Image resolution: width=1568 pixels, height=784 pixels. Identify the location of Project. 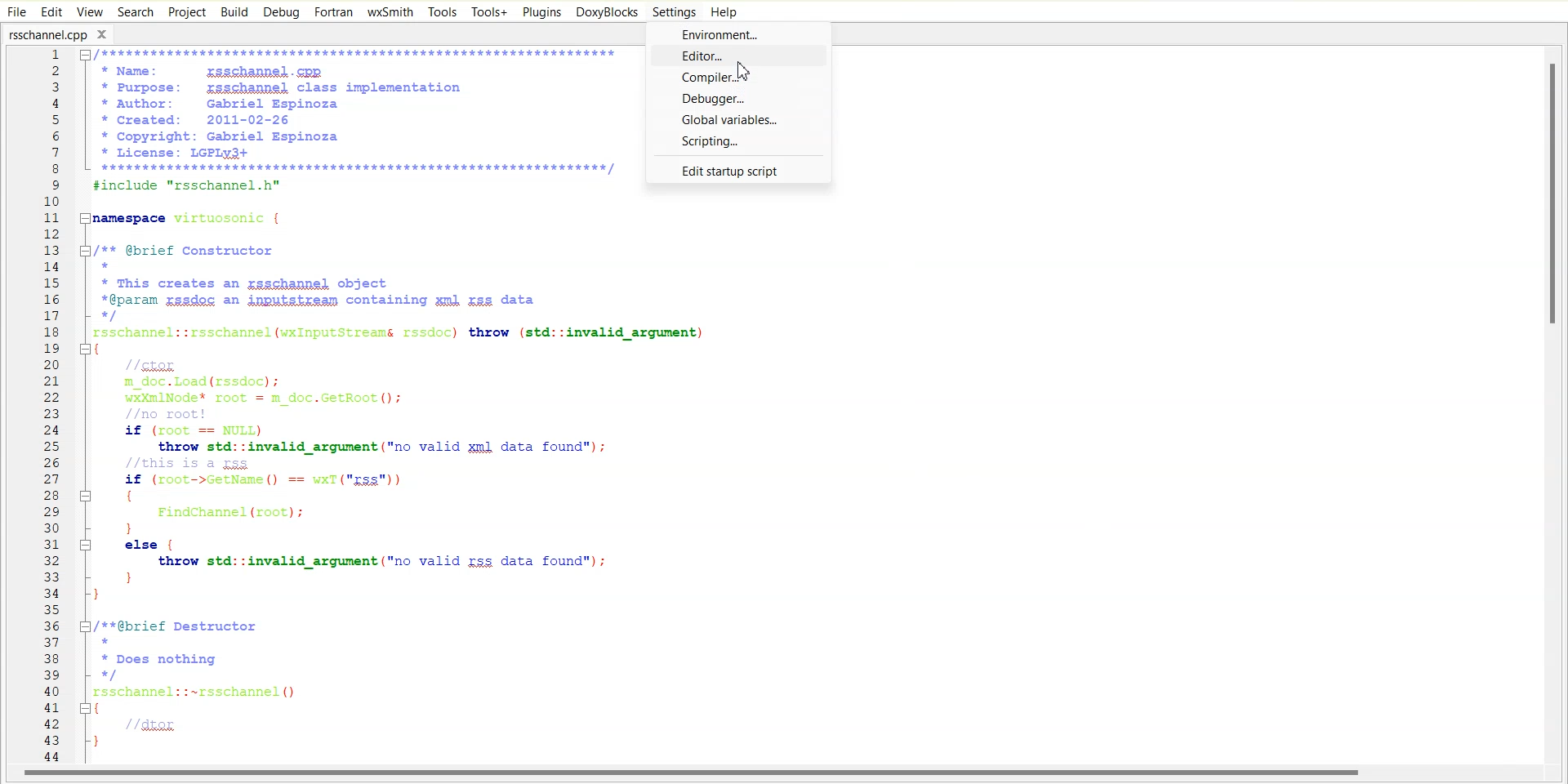
(186, 11).